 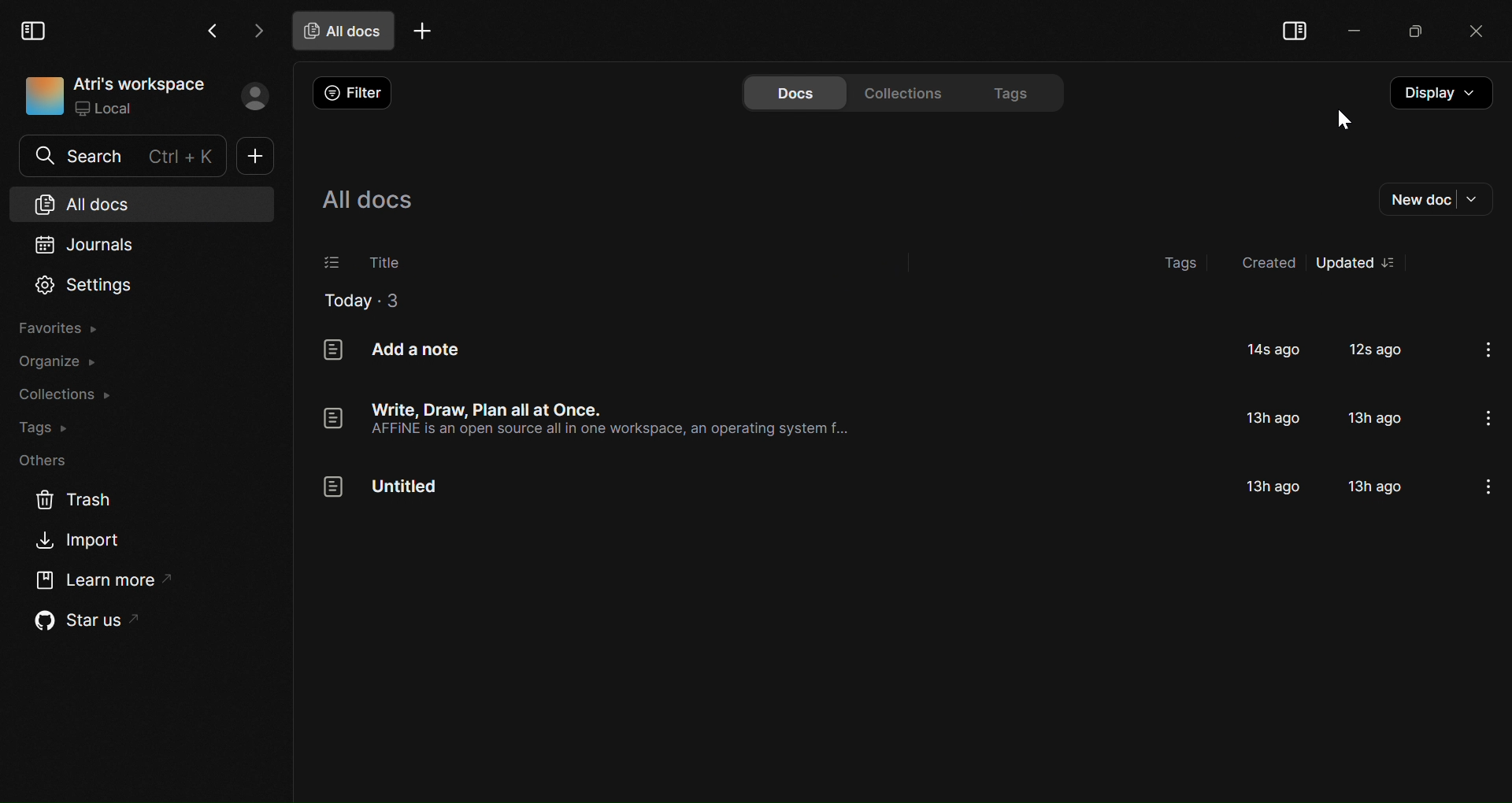 I want to click on icon, so click(x=332, y=352).